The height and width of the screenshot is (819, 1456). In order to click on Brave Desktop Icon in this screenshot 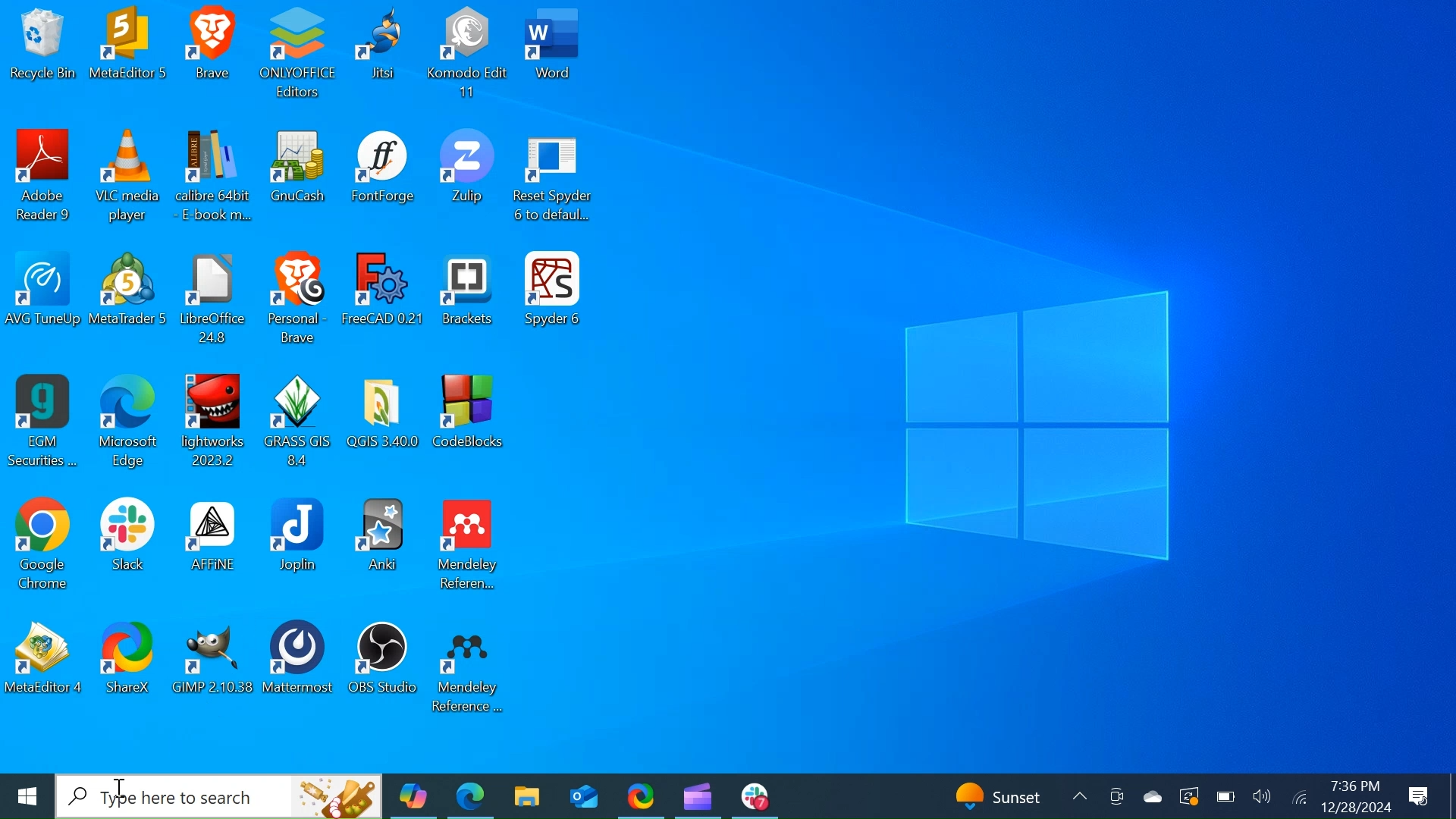, I will do `click(209, 52)`.